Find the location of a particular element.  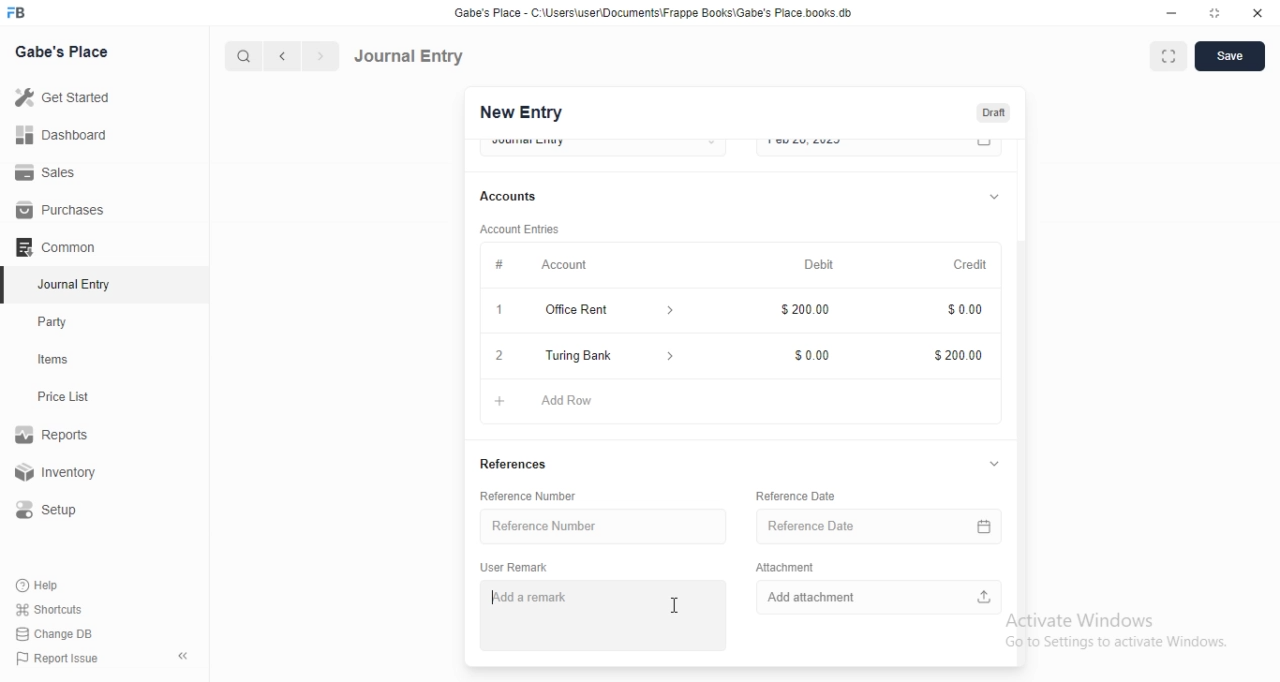

Gabe's Place is located at coordinates (64, 51).